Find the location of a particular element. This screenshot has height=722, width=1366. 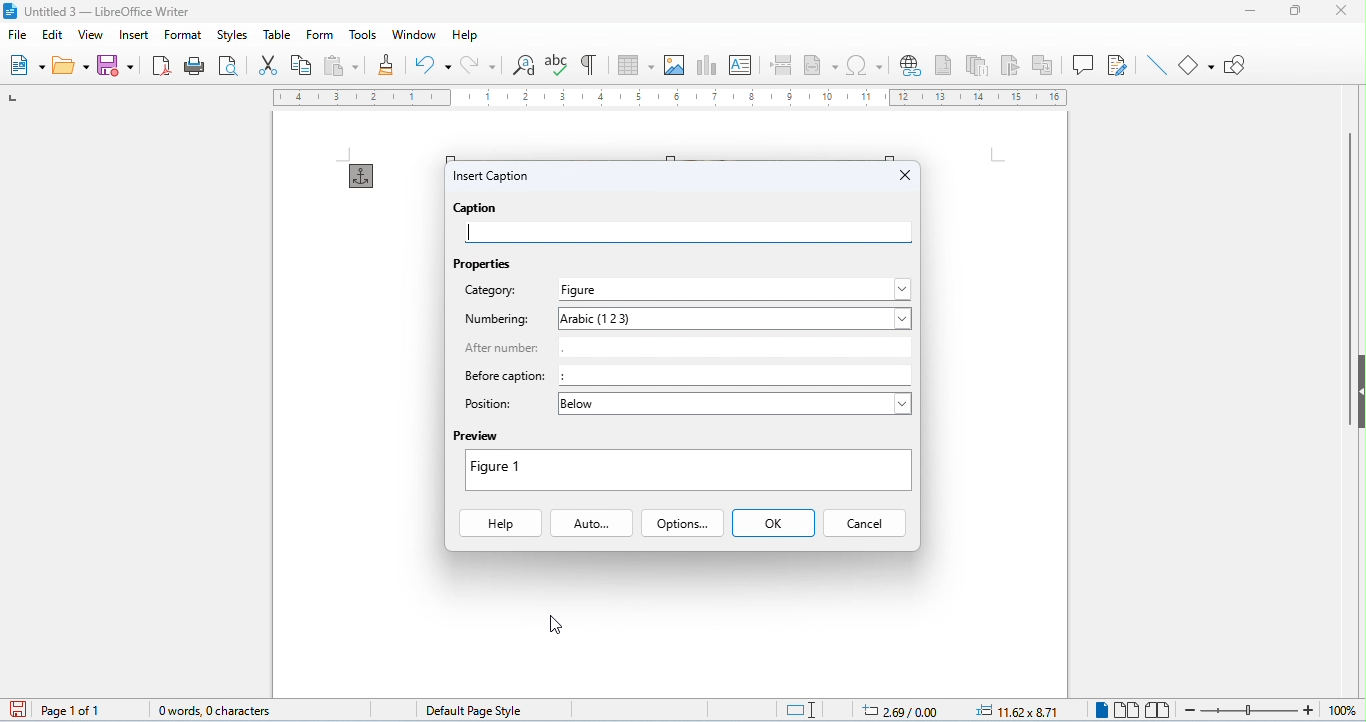

insert hyperlink is located at coordinates (912, 67).